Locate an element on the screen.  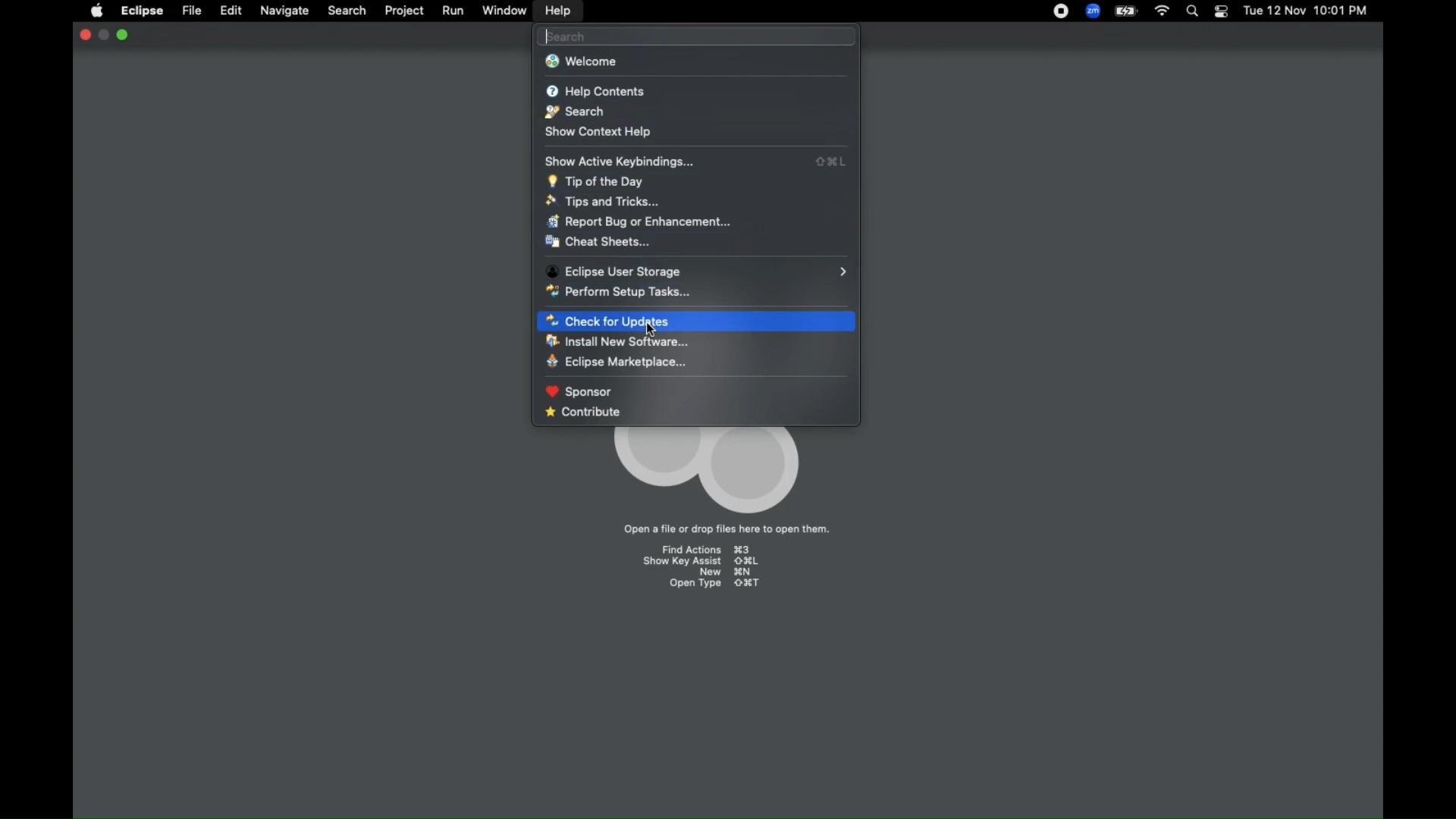
find actions x3 is located at coordinates (704, 547).